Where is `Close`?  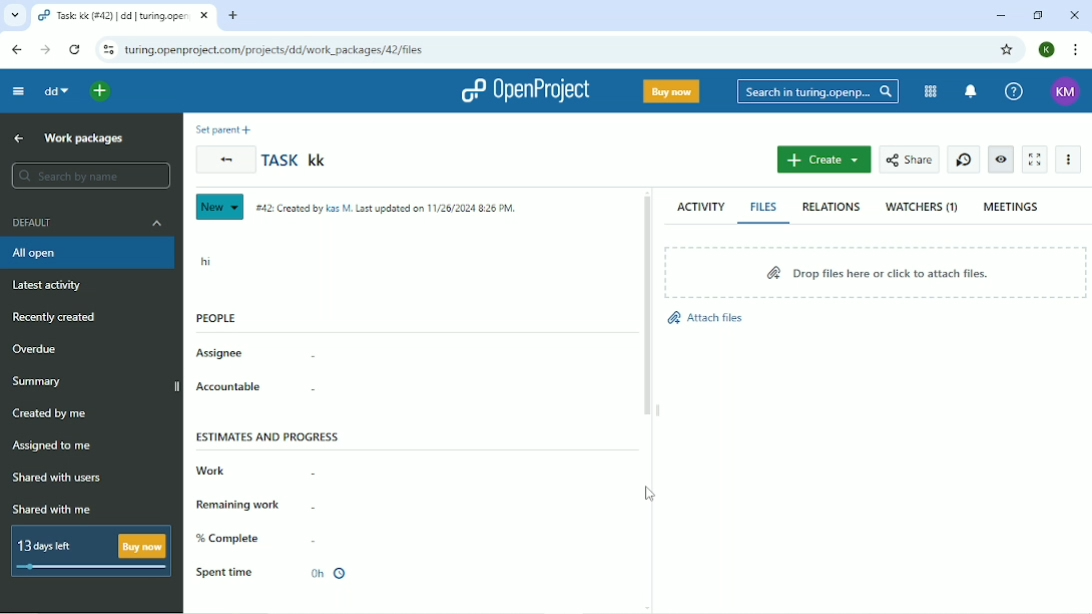
Close is located at coordinates (1076, 15).